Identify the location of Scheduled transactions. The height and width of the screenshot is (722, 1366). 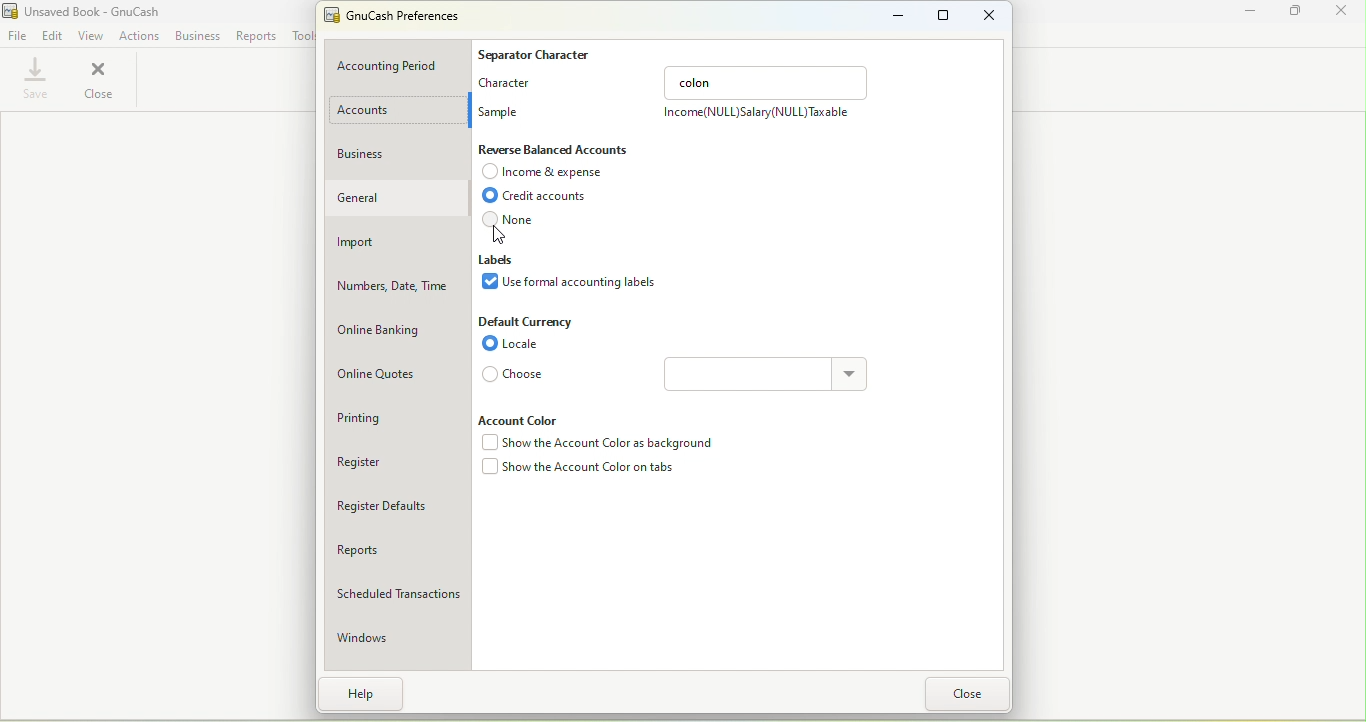
(397, 597).